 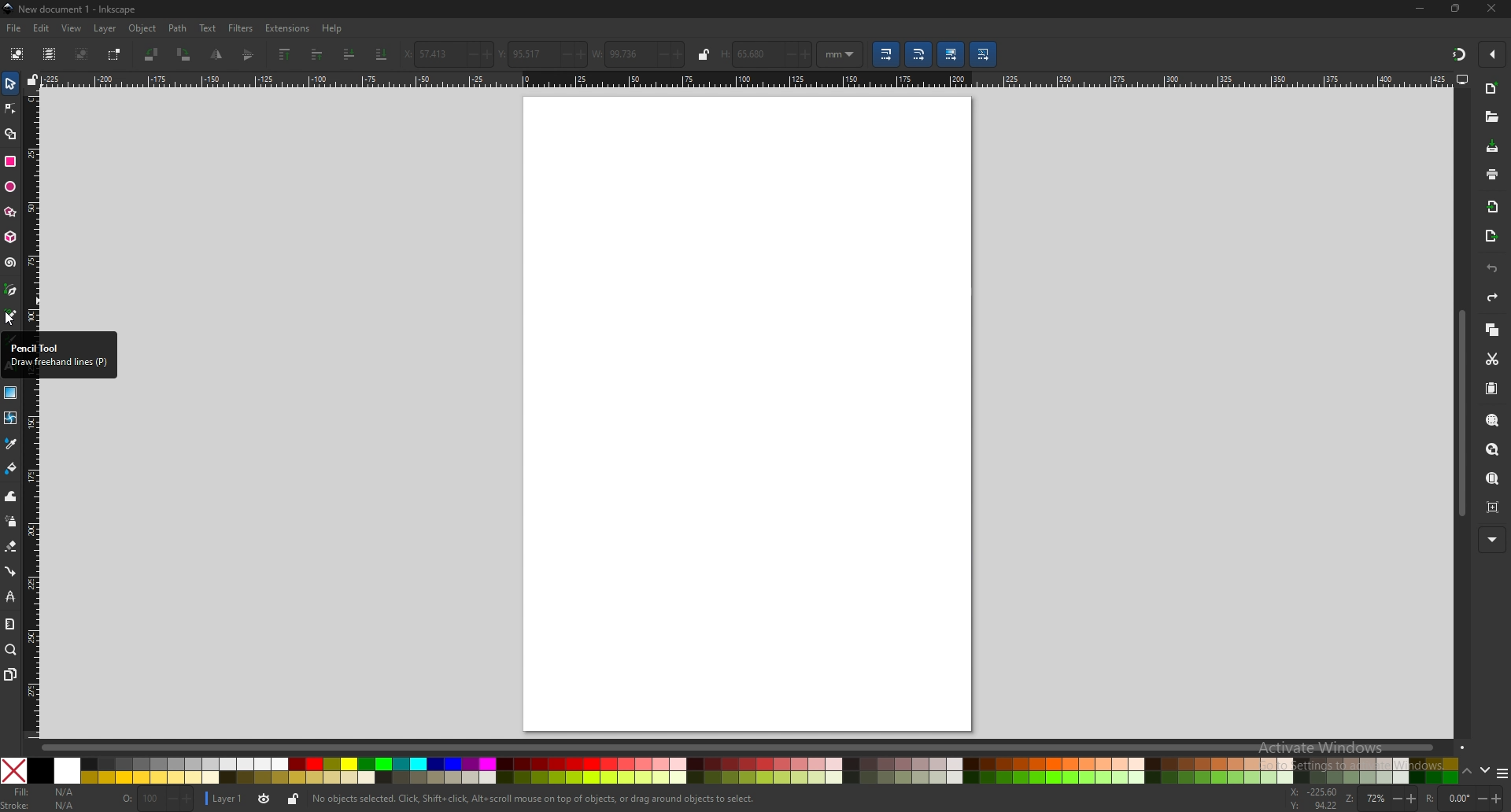 What do you see at coordinates (534, 799) in the screenshot?
I see `info` at bounding box center [534, 799].